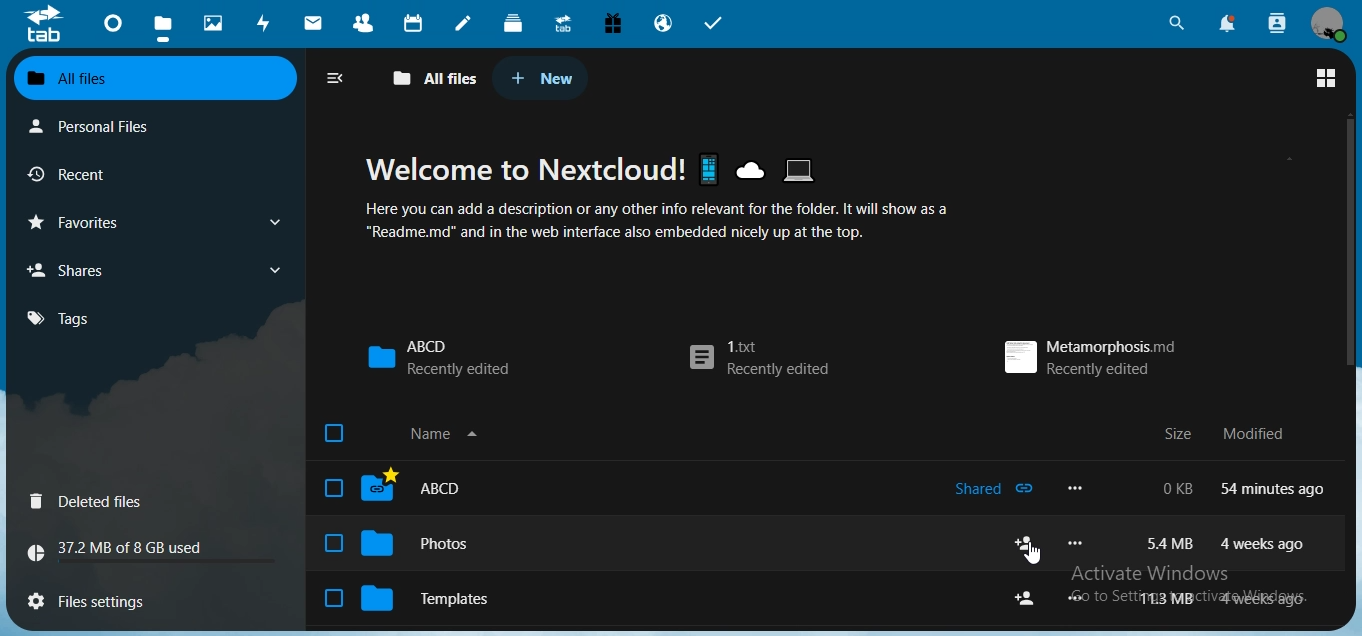  What do you see at coordinates (332, 433) in the screenshot?
I see `check box` at bounding box center [332, 433].